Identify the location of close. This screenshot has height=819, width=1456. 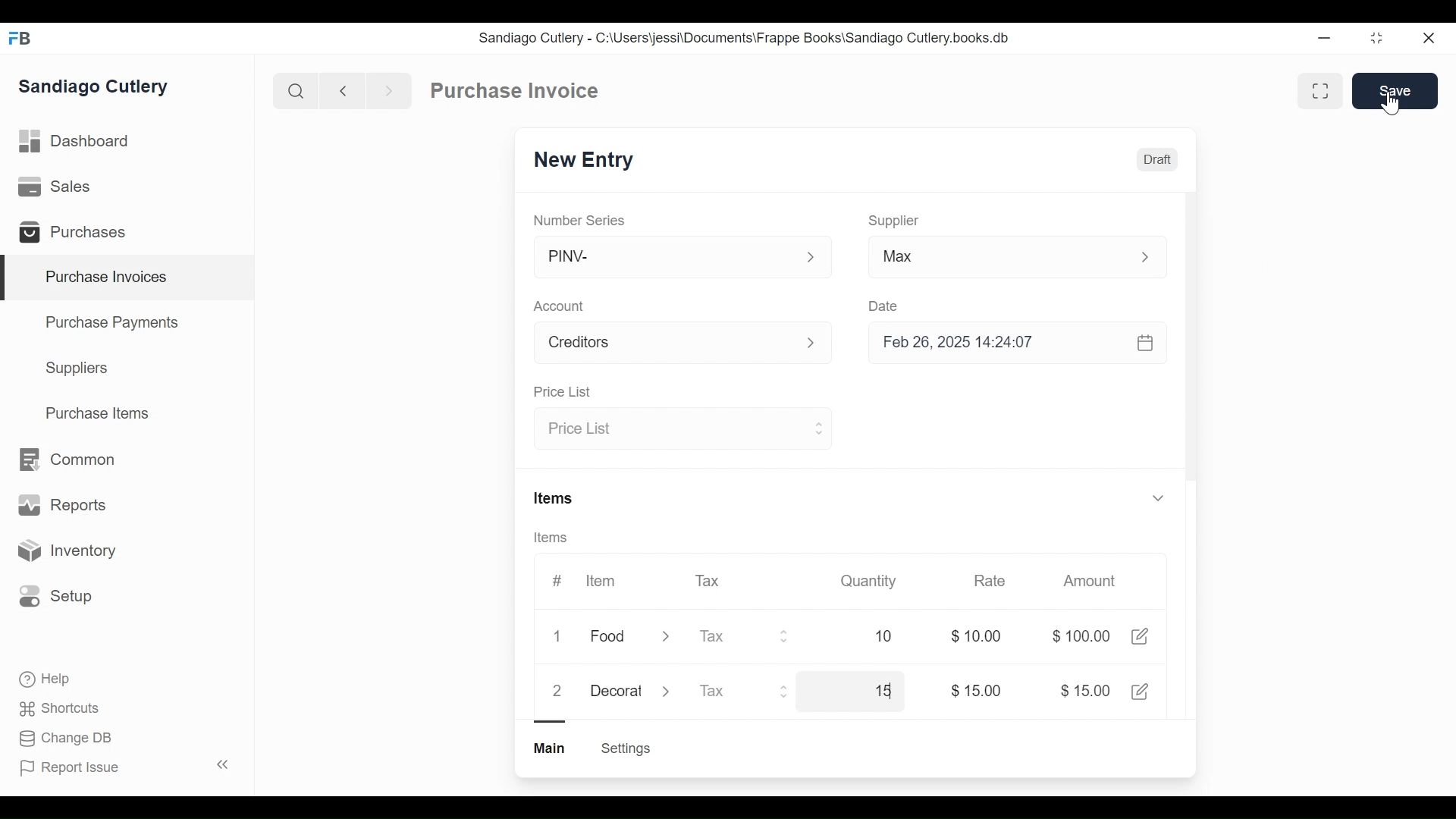
(1427, 39).